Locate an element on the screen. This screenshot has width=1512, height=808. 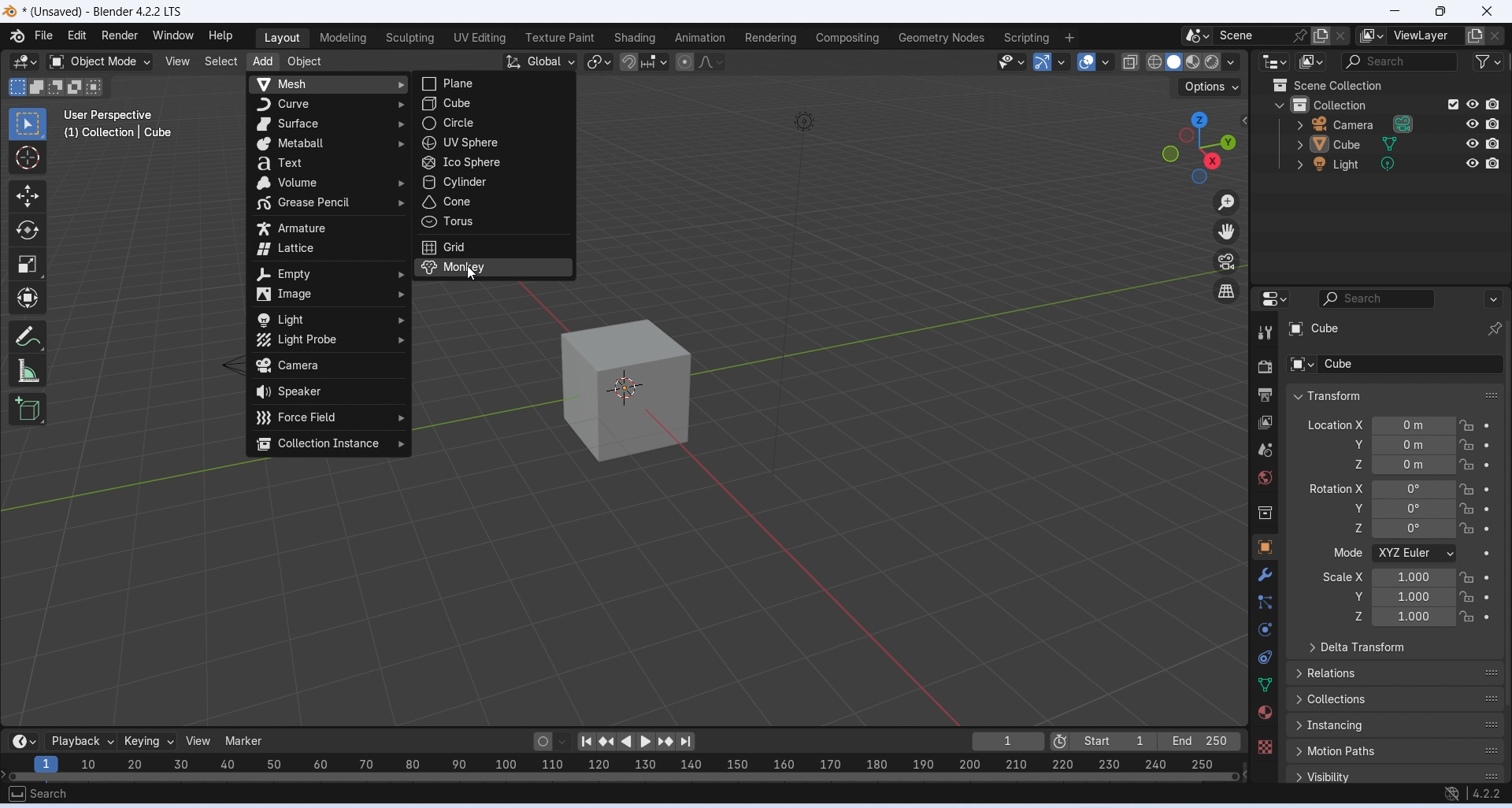
Switch the current view from the prespective is located at coordinates (1228, 292).